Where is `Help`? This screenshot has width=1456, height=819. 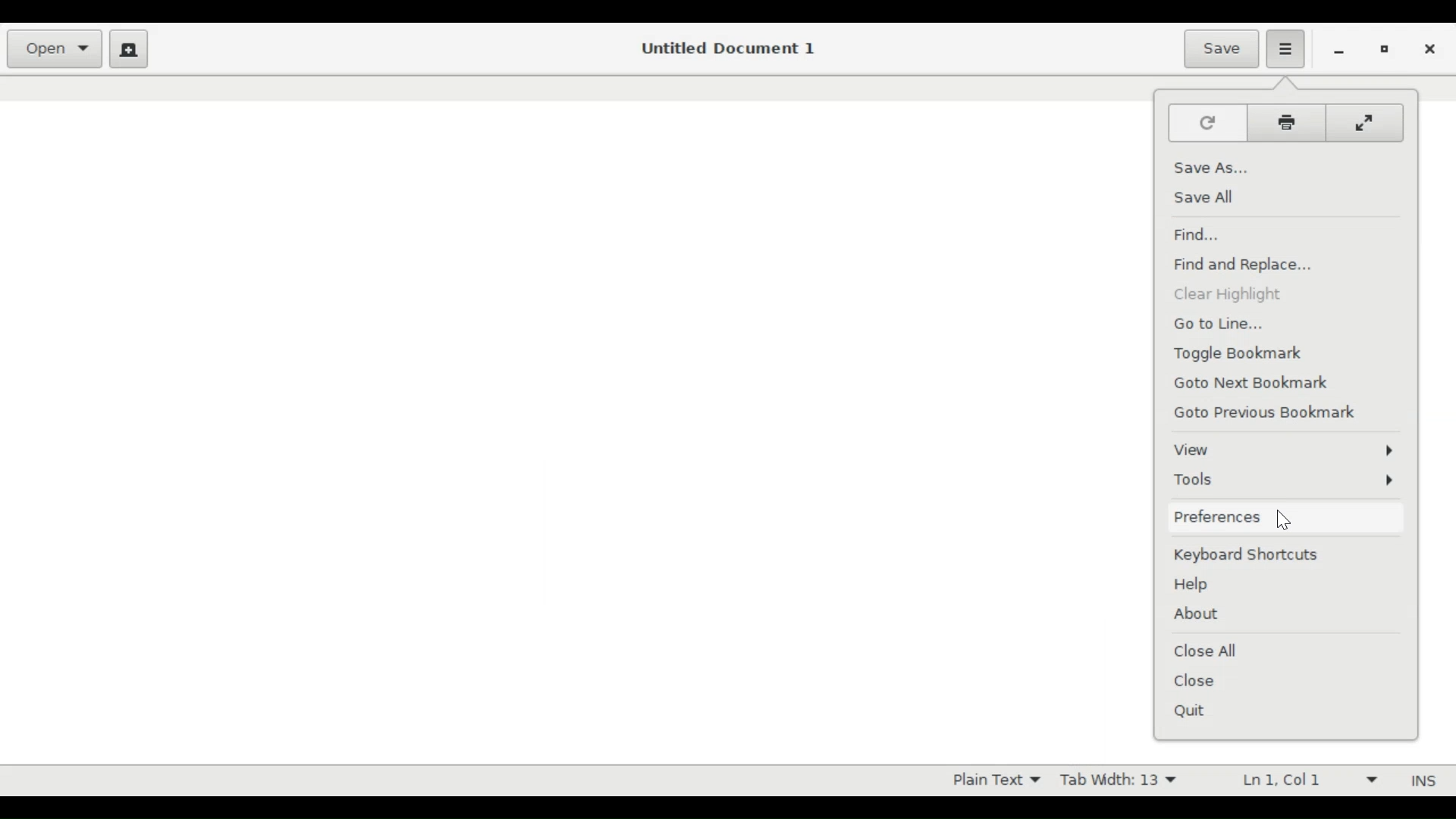
Help is located at coordinates (1200, 586).